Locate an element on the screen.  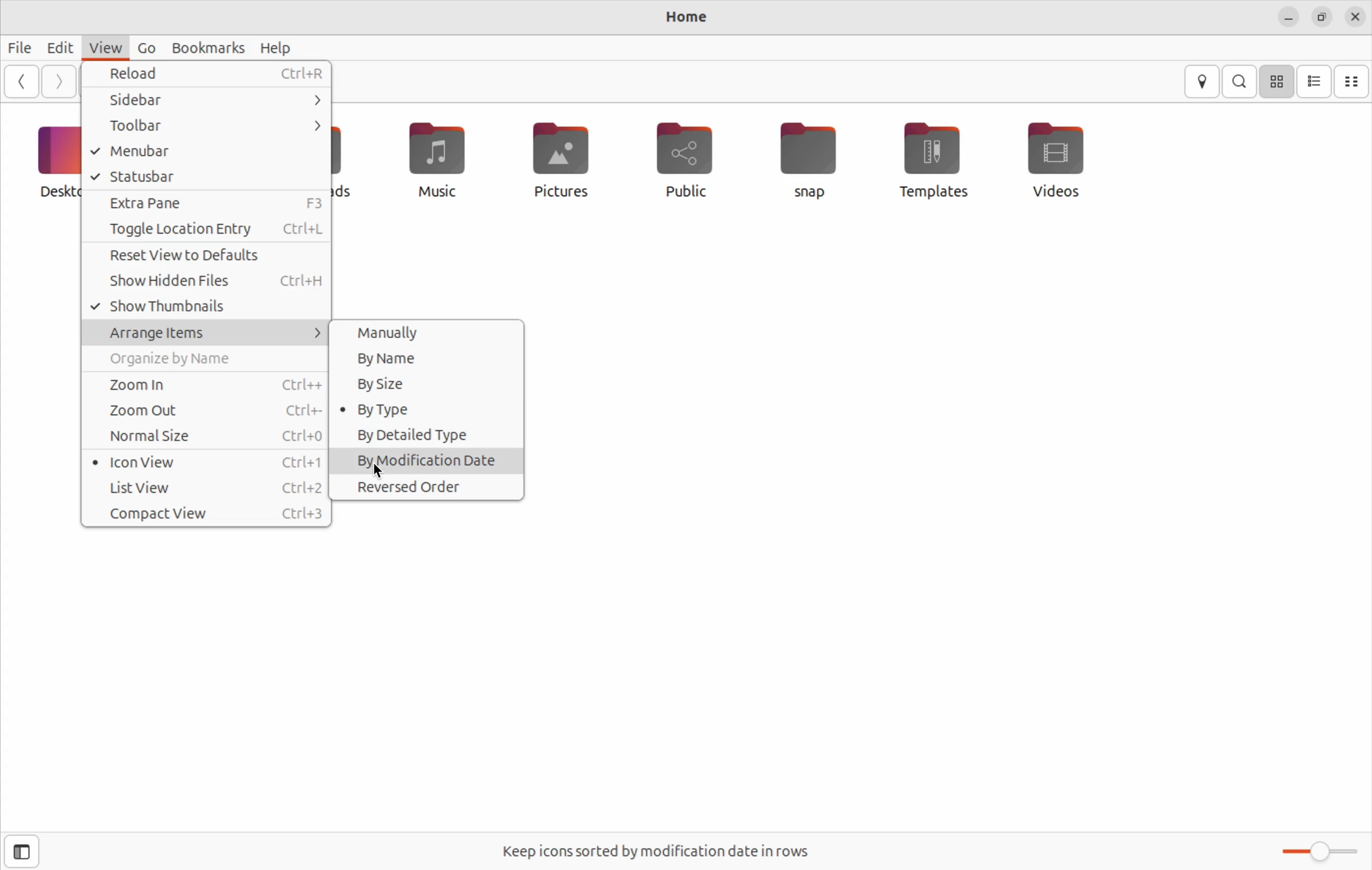
list view is located at coordinates (1316, 82).